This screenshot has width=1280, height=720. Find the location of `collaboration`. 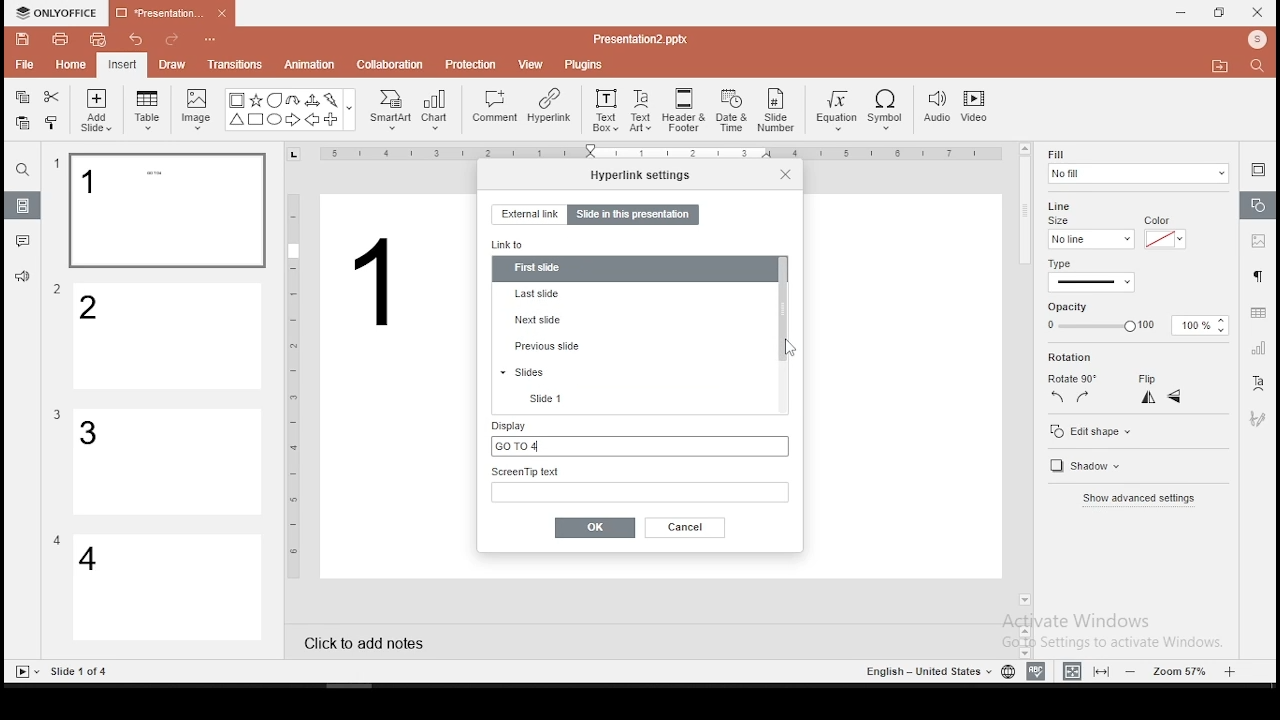

collaboration is located at coordinates (392, 63).